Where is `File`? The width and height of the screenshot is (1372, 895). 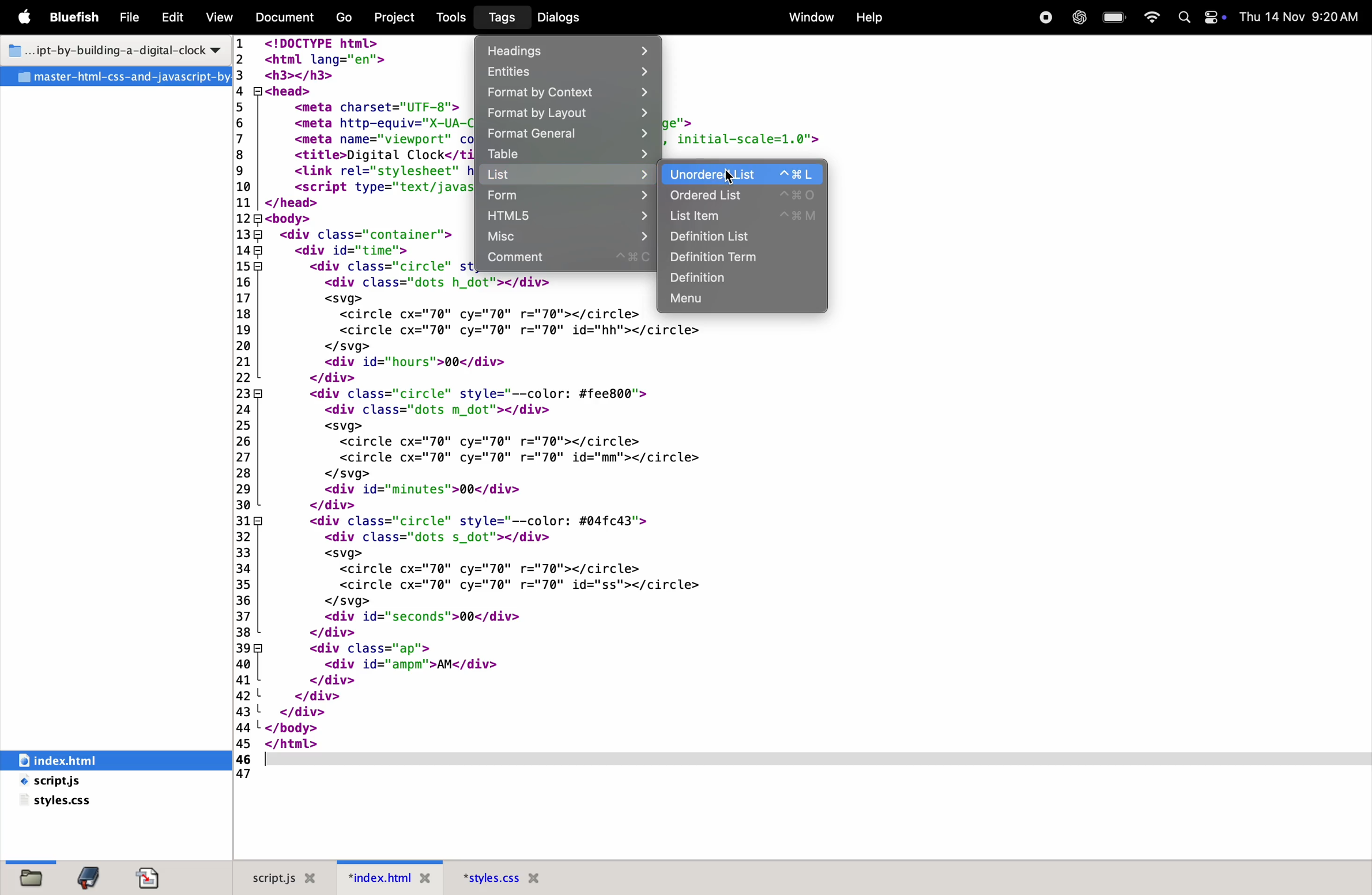
File is located at coordinates (131, 18).